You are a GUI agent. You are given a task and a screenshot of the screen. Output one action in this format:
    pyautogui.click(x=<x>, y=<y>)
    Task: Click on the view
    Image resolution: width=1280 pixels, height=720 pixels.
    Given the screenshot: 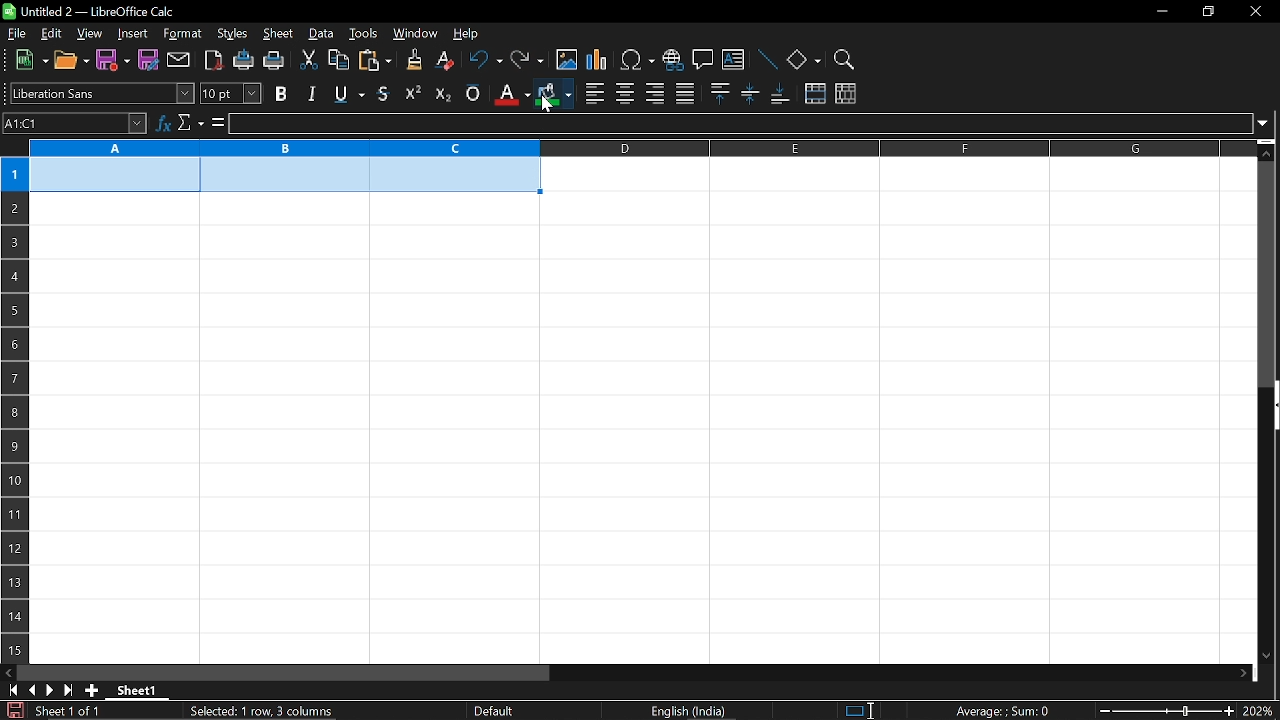 What is the action you would take?
    pyautogui.click(x=88, y=34)
    